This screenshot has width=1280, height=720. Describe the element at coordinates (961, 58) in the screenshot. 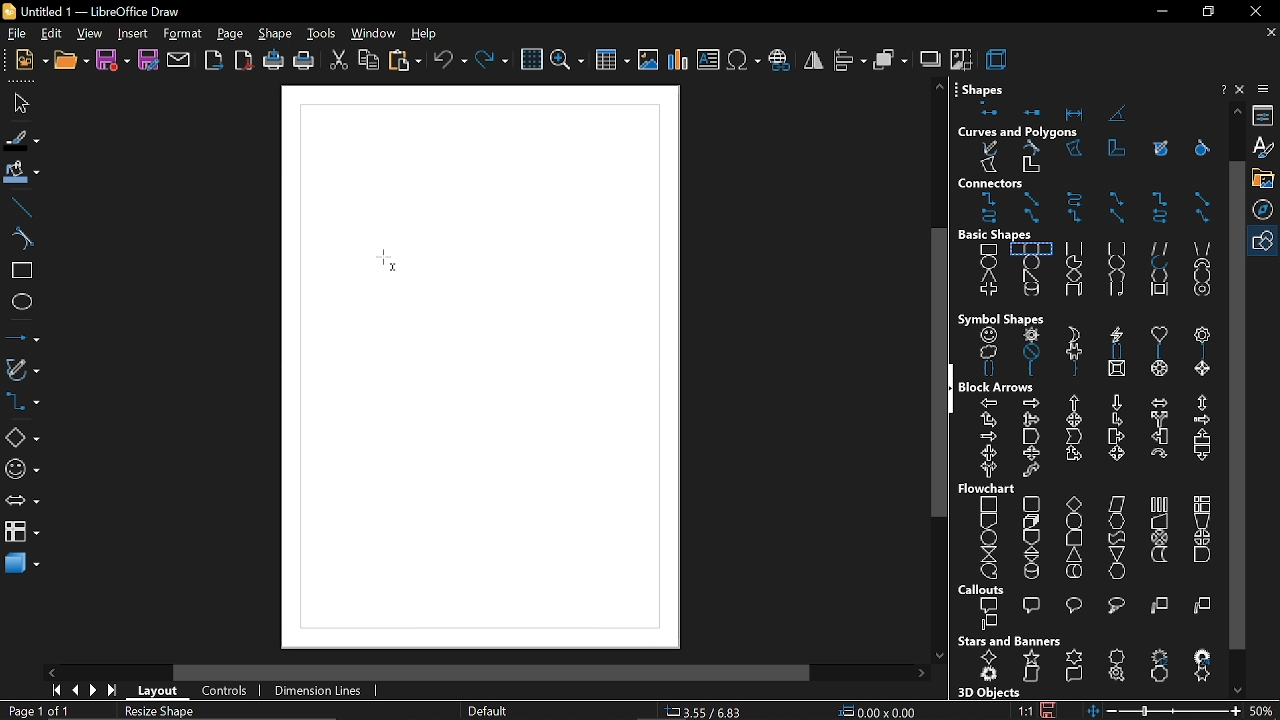

I see `crop` at that location.